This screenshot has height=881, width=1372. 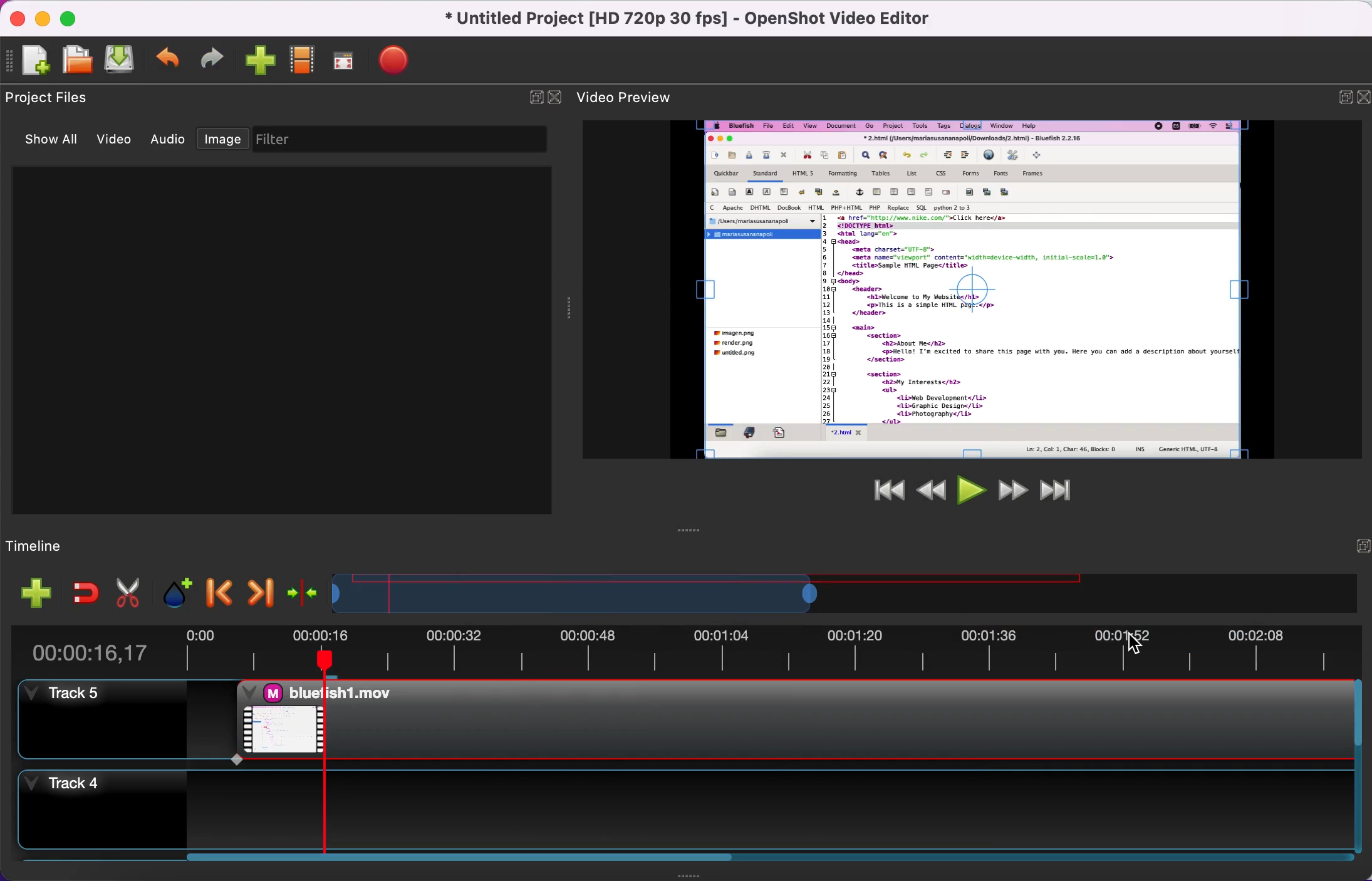 What do you see at coordinates (556, 96) in the screenshot?
I see `close` at bounding box center [556, 96].